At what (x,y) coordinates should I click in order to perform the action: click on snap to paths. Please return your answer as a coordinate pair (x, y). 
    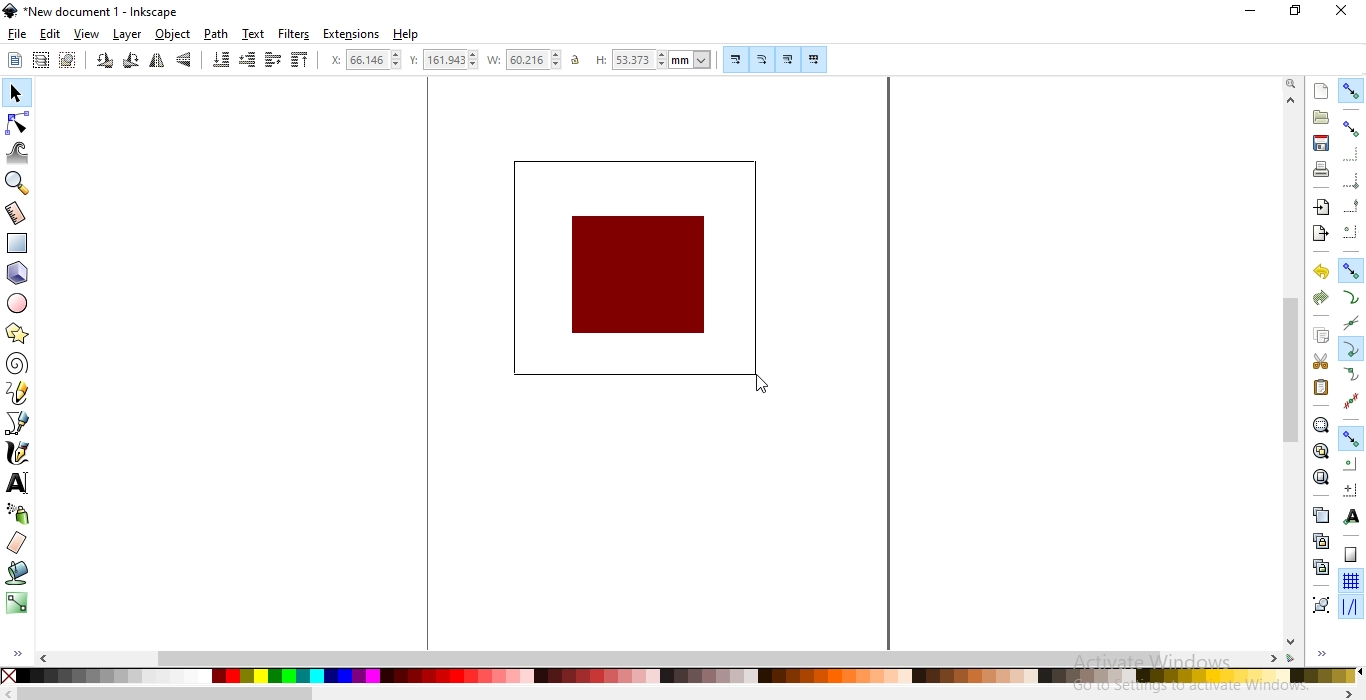
    Looking at the image, I should click on (1352, 297).